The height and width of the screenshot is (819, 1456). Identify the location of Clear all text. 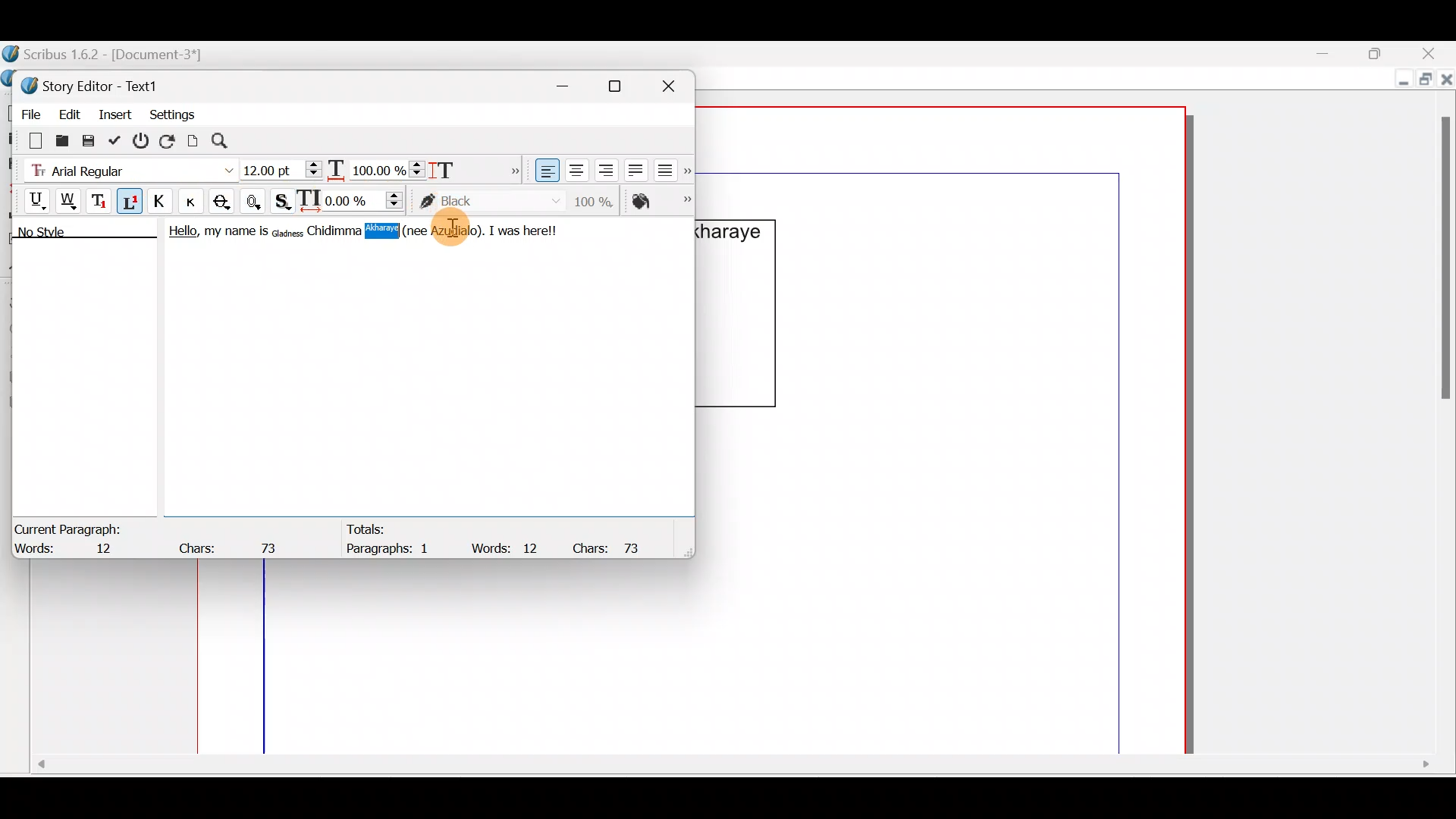
(28, 140).